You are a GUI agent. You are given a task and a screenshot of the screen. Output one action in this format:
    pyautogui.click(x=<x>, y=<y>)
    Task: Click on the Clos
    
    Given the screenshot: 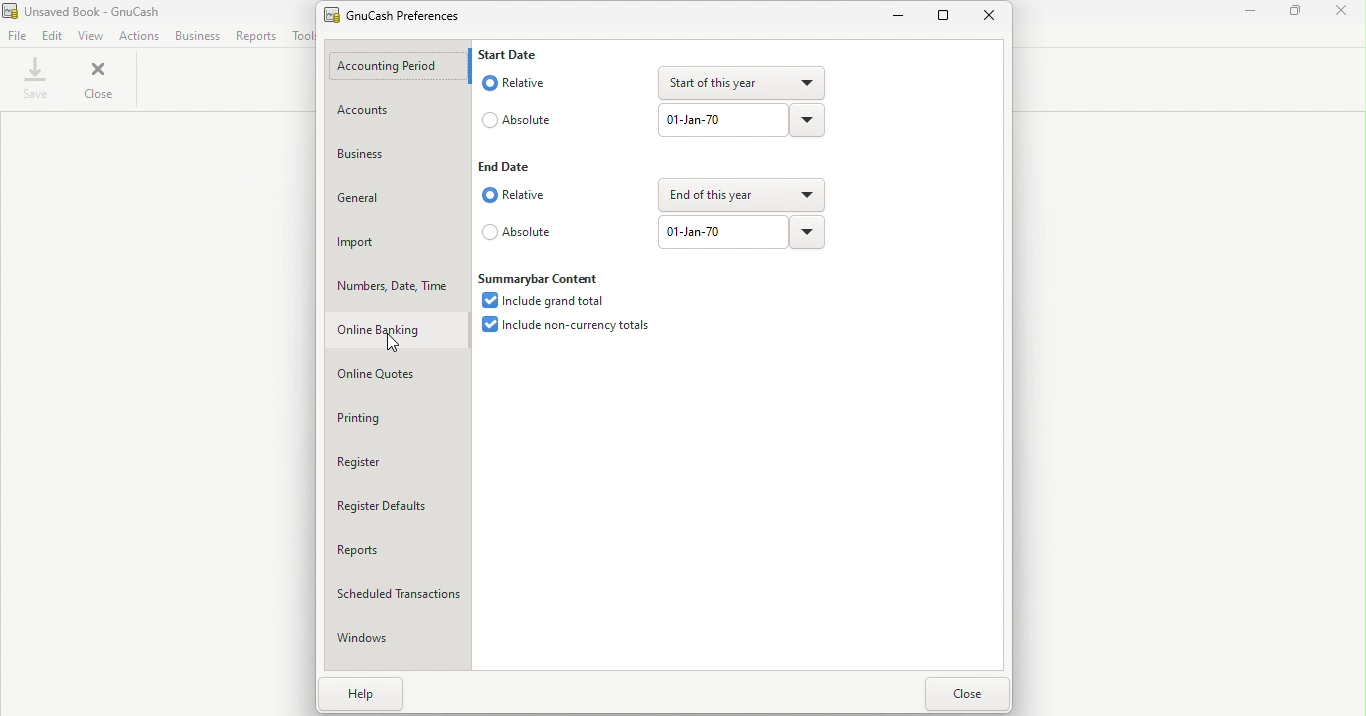 What is the action you would take?
    pyautogui.click(x=966, y=694)
    